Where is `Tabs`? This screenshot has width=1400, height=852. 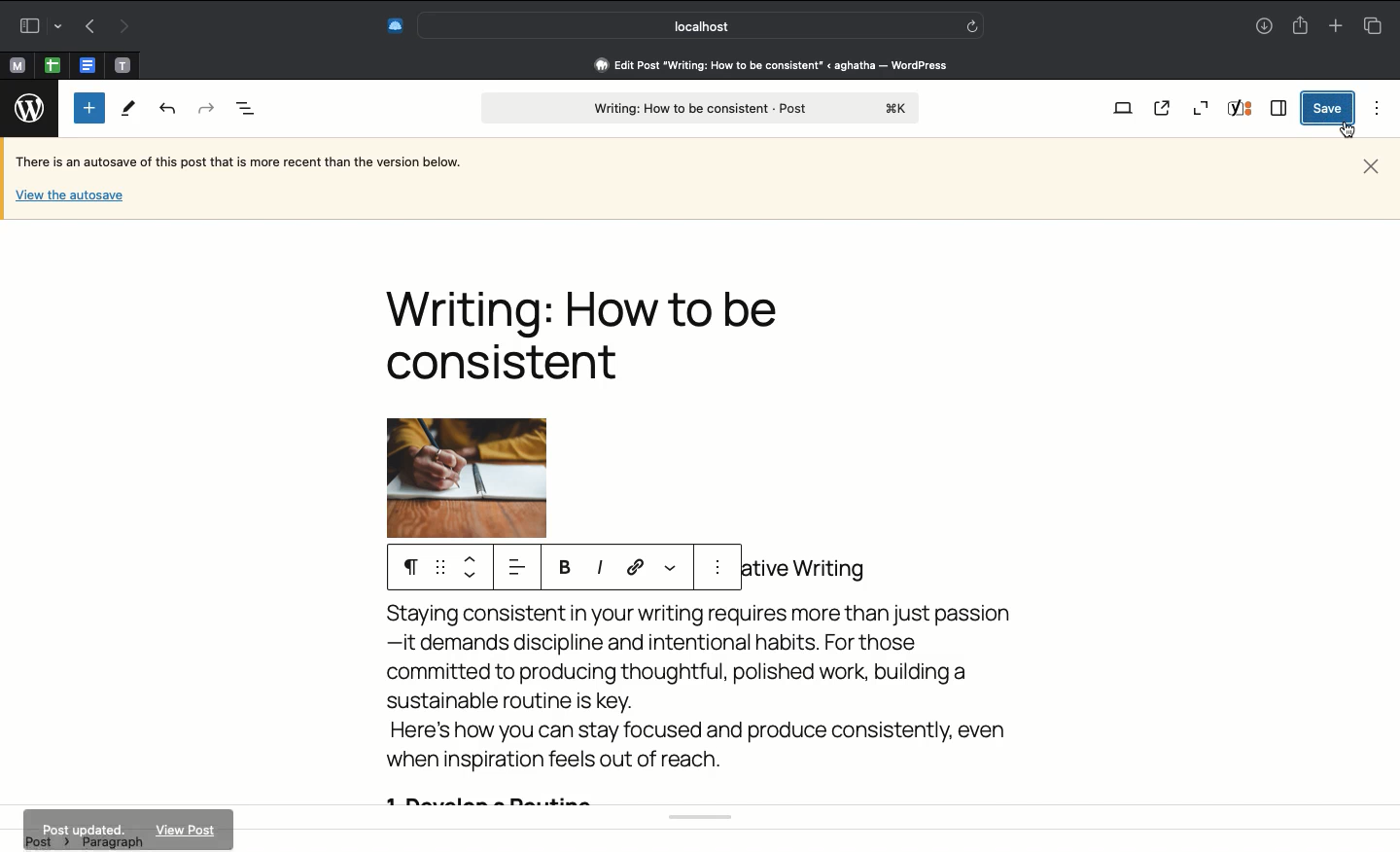 Tabs is located at coordinates (1372, 25).